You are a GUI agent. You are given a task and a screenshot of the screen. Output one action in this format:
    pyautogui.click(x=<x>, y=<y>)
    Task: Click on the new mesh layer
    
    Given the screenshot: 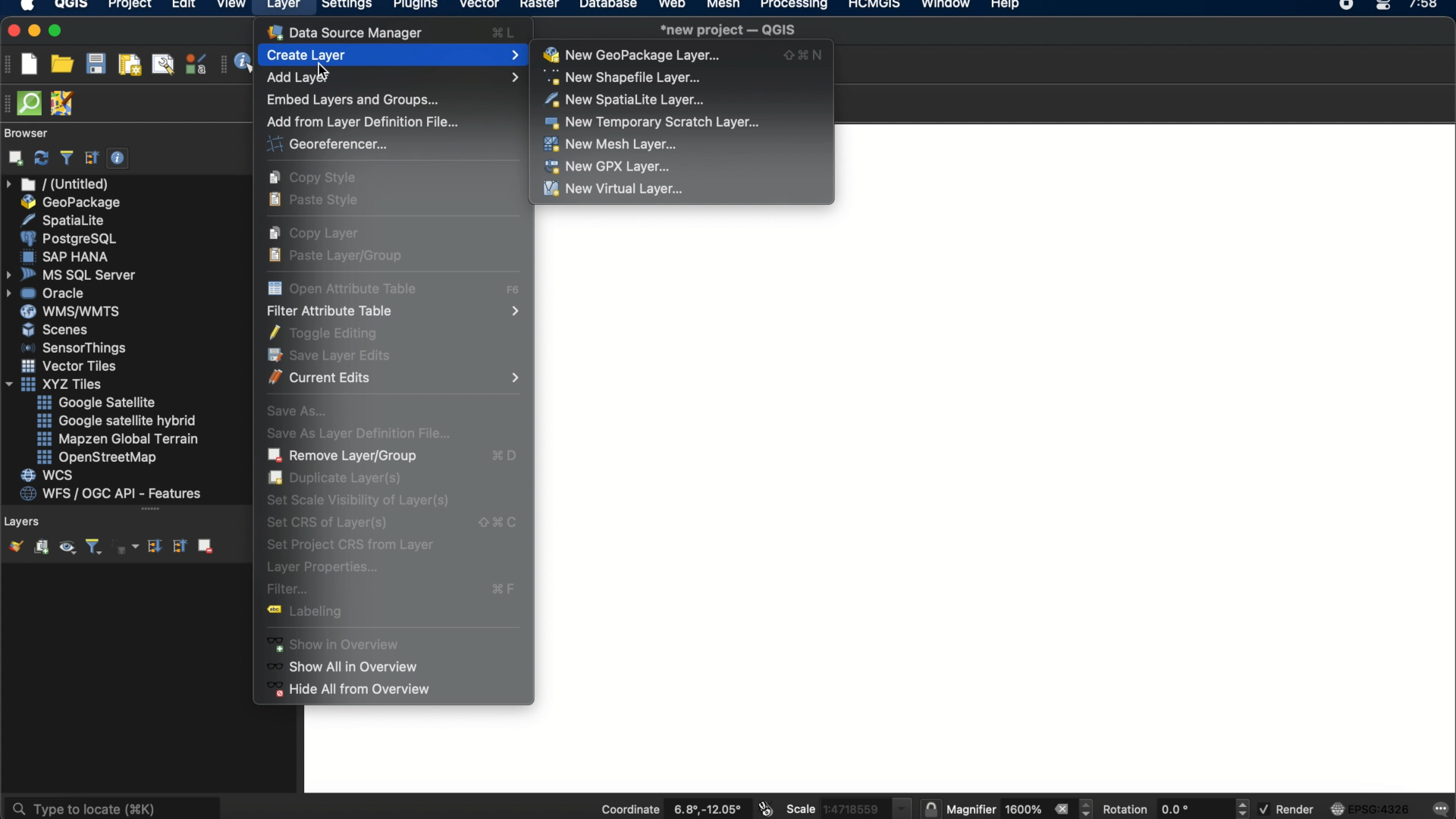 What is the action you would take?
    pyautogui.click(x=612, y=146)
    